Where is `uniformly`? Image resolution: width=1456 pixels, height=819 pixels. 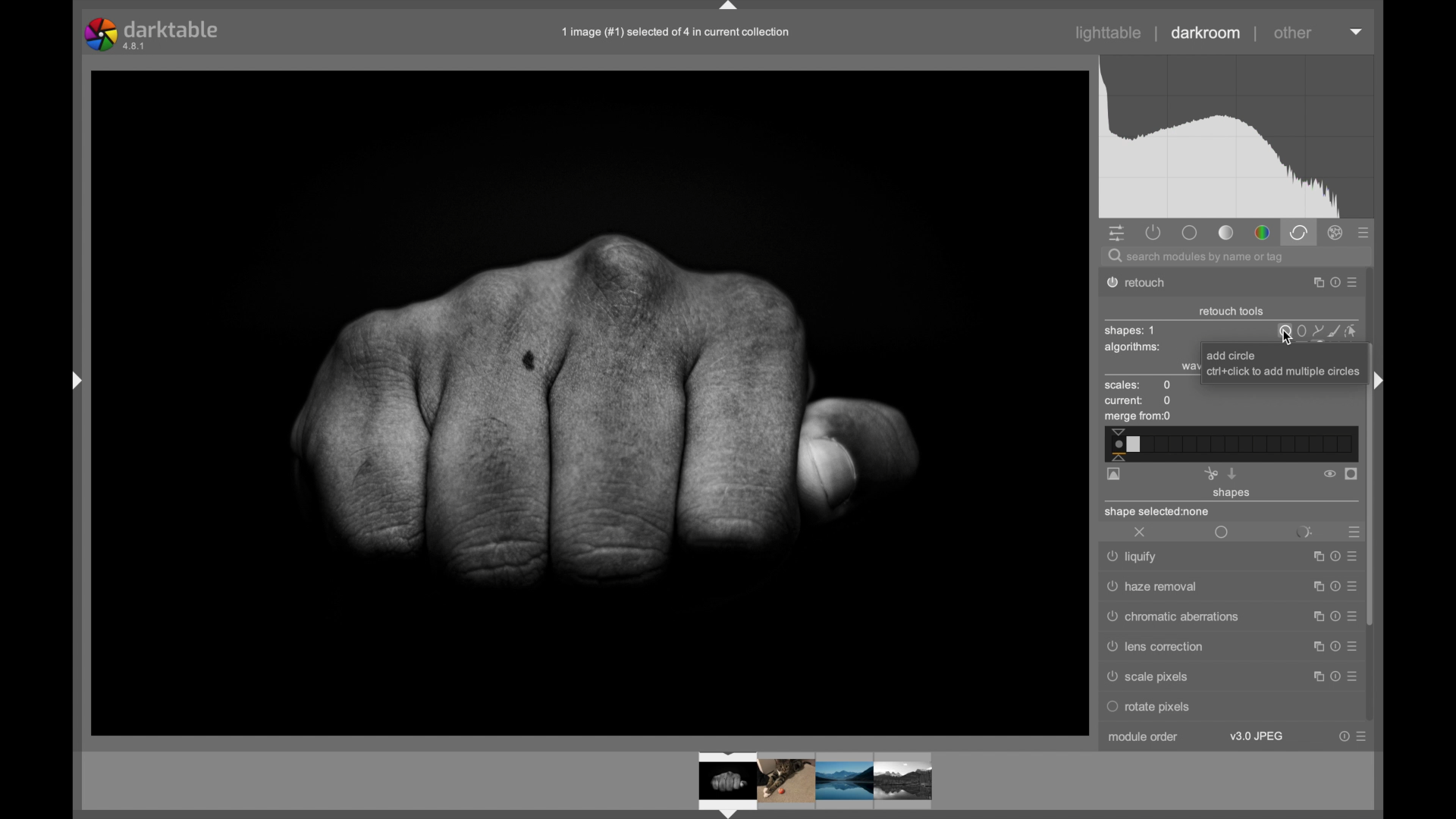 uniformly is located at coordinates (1222, 533).